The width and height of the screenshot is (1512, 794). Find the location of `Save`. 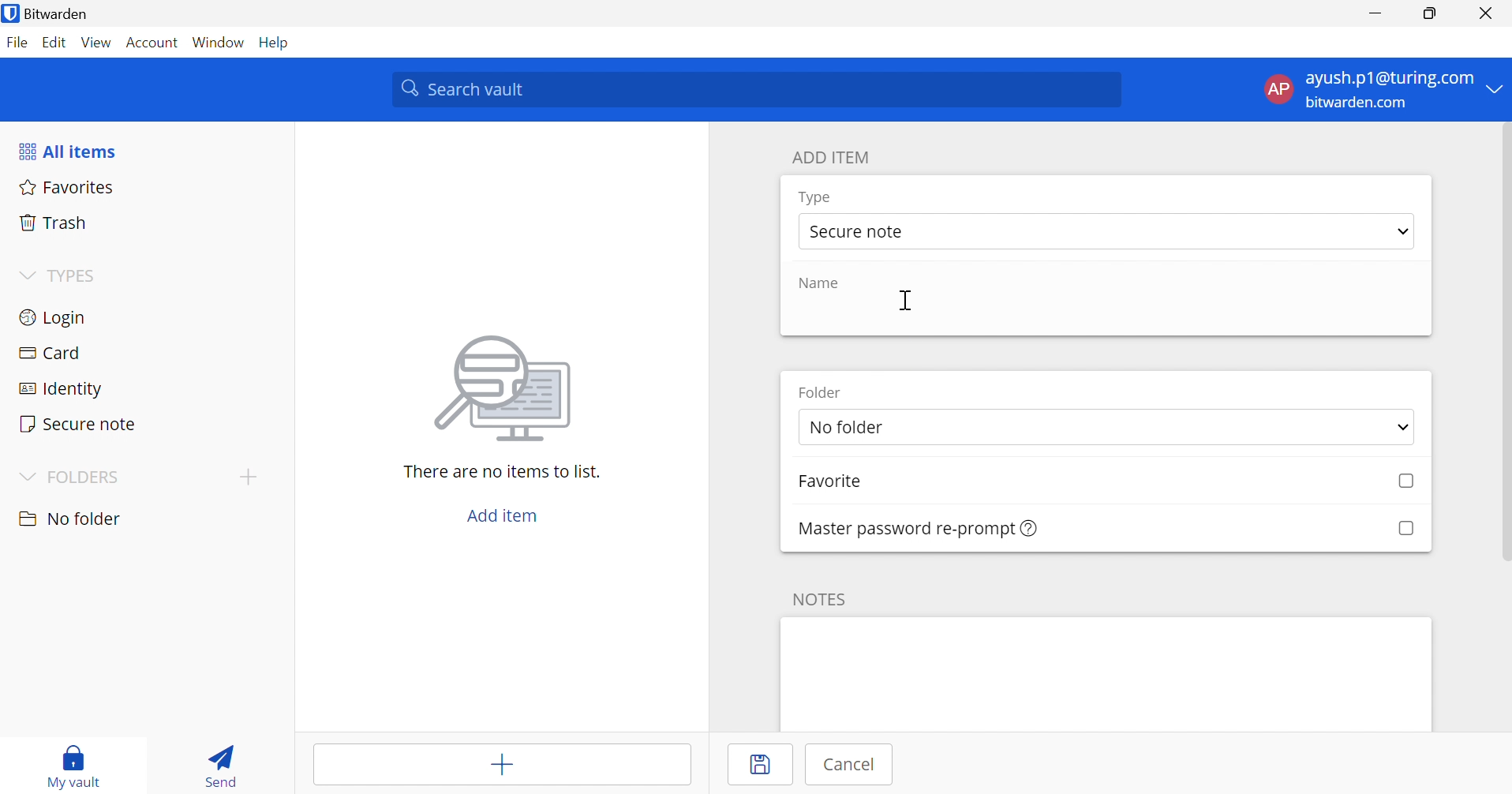

Save is located at coordinates (765, 766).